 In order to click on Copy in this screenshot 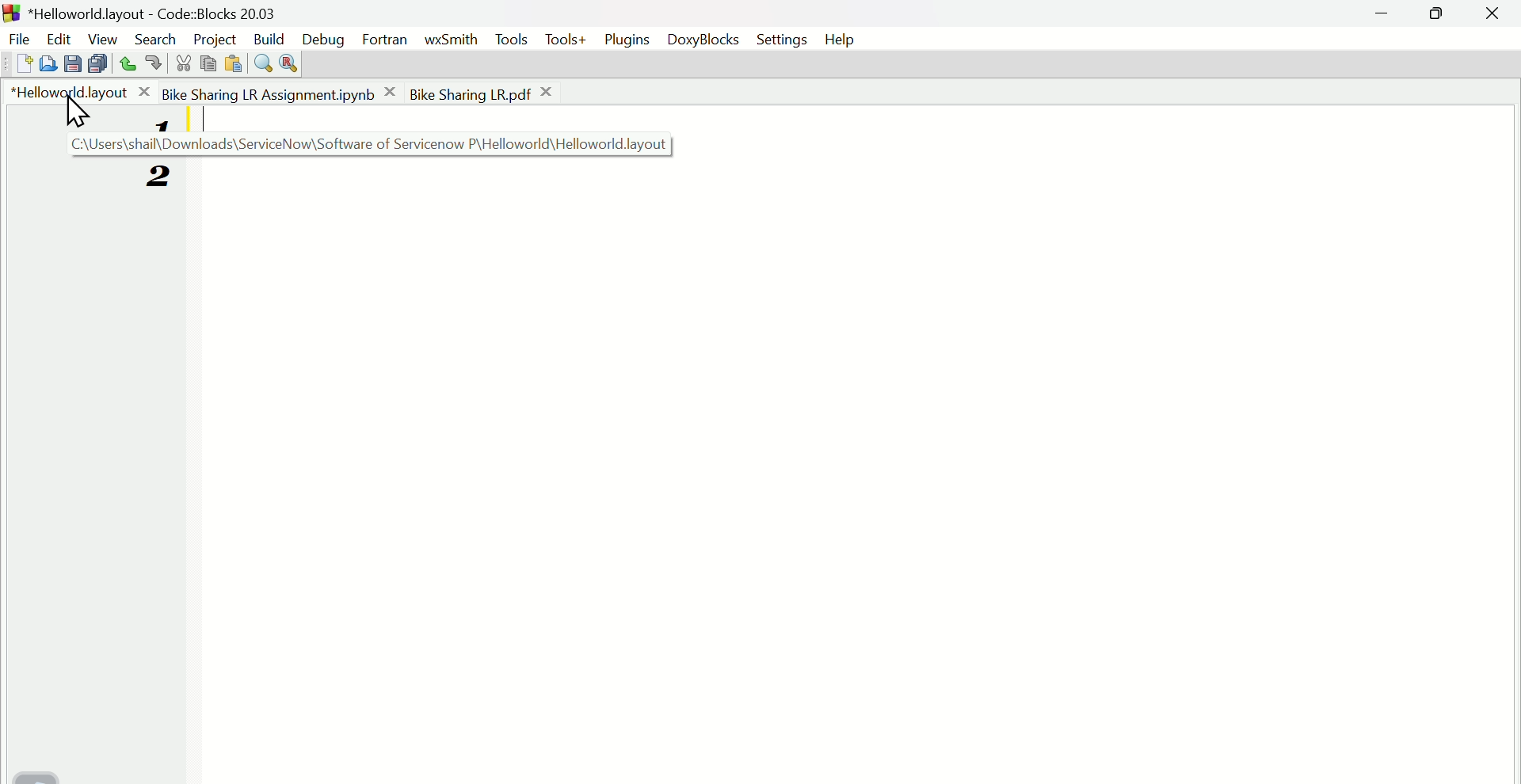, I will do `click(208, 62)`.